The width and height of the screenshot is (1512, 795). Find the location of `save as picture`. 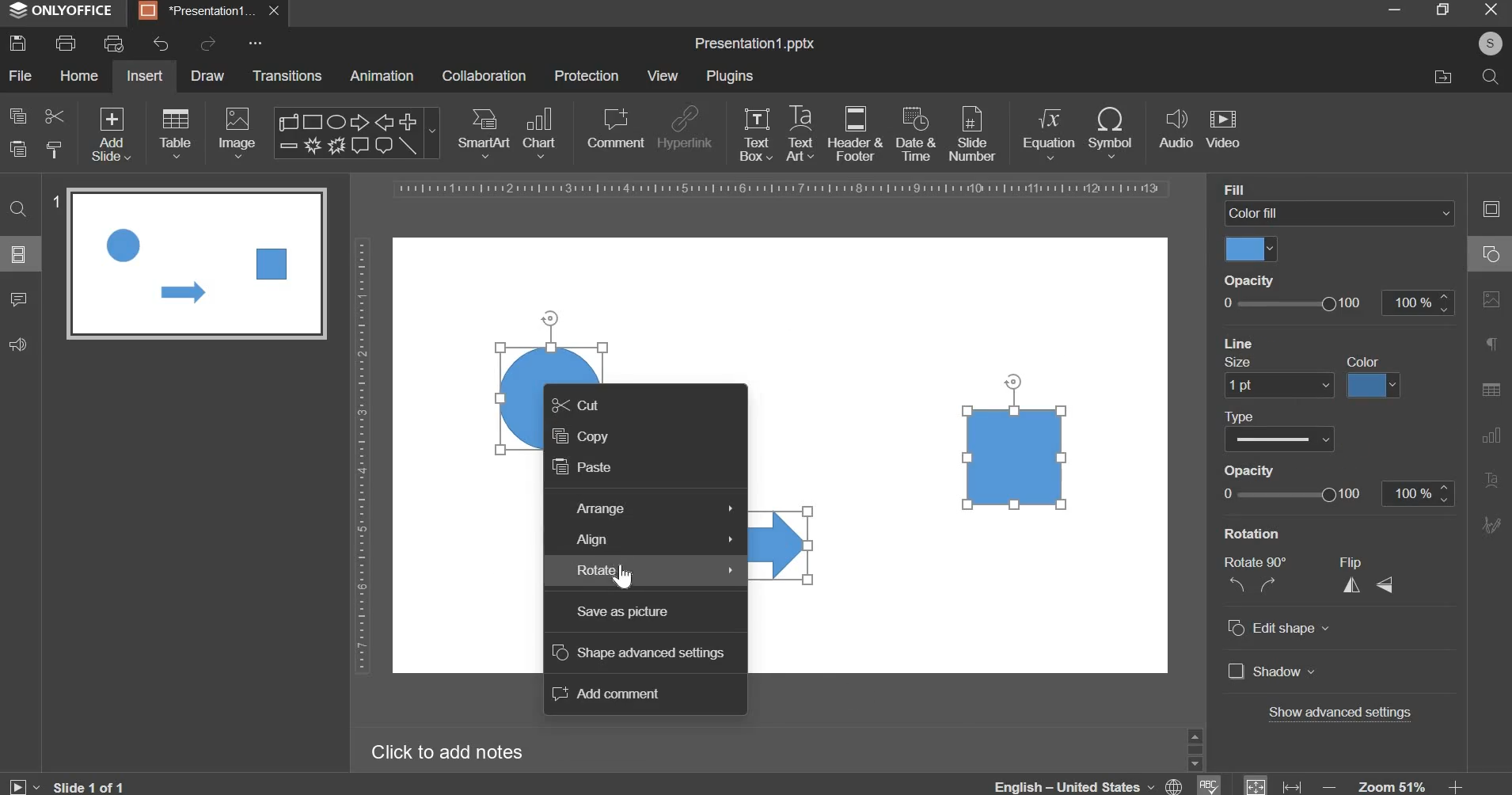

save as picture is located at coordinates (623, 612).